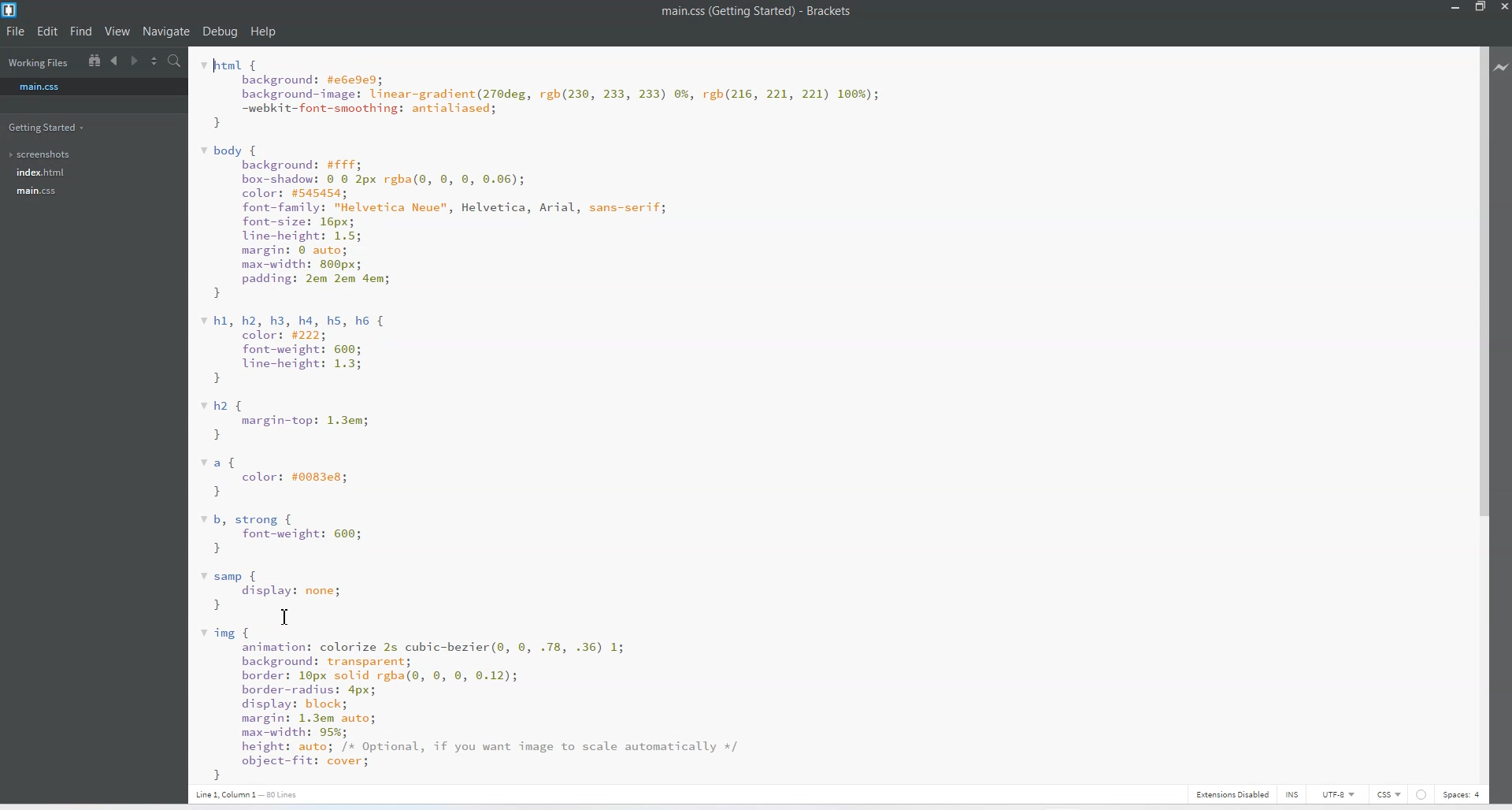 The image size is (1512, 810). Describe the element at coordinates (38, 64) in the screenshot. I see `Working Files` at that location.